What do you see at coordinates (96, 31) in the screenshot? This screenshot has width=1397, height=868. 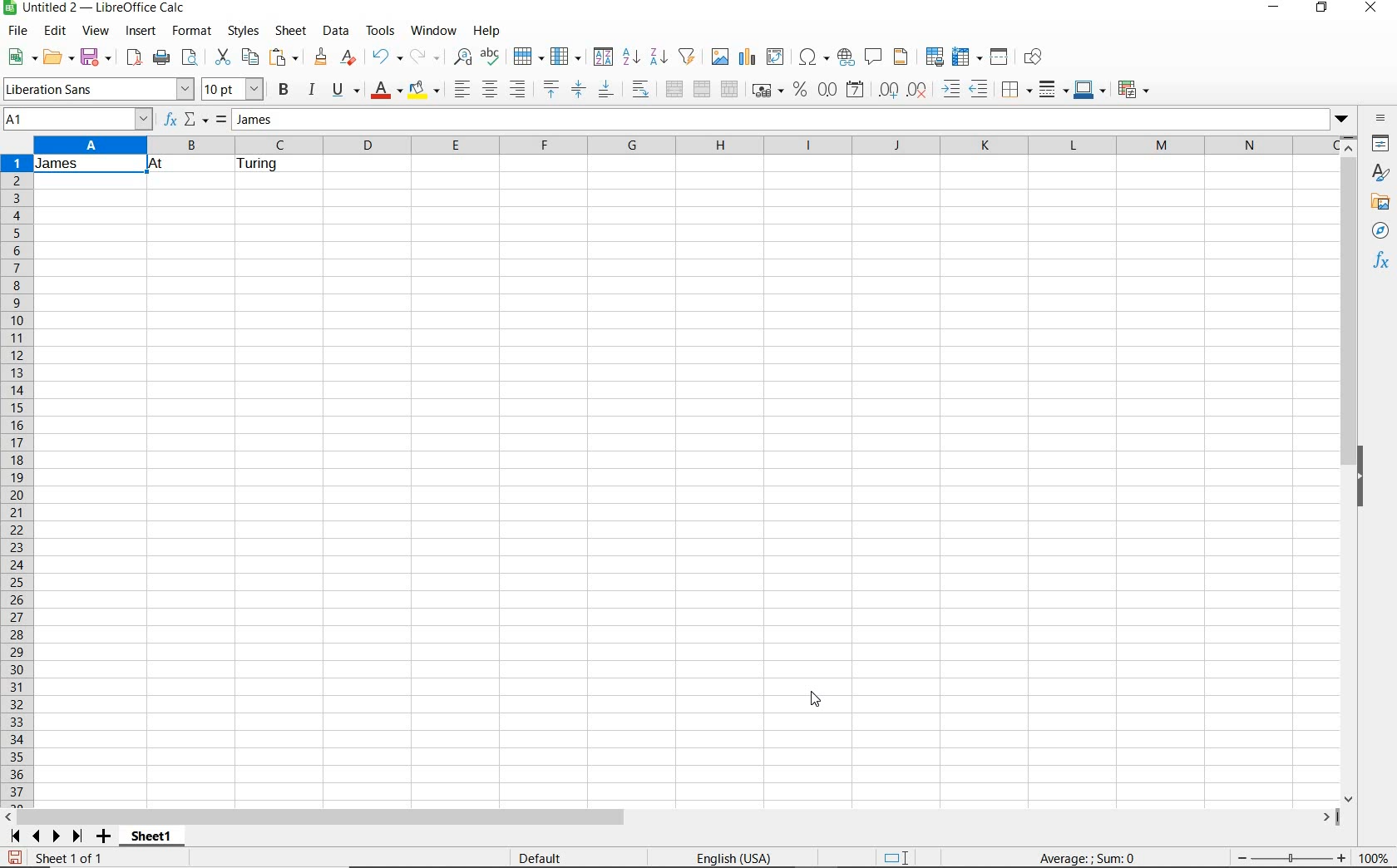 I see `view` at bounding box center [96, 31].